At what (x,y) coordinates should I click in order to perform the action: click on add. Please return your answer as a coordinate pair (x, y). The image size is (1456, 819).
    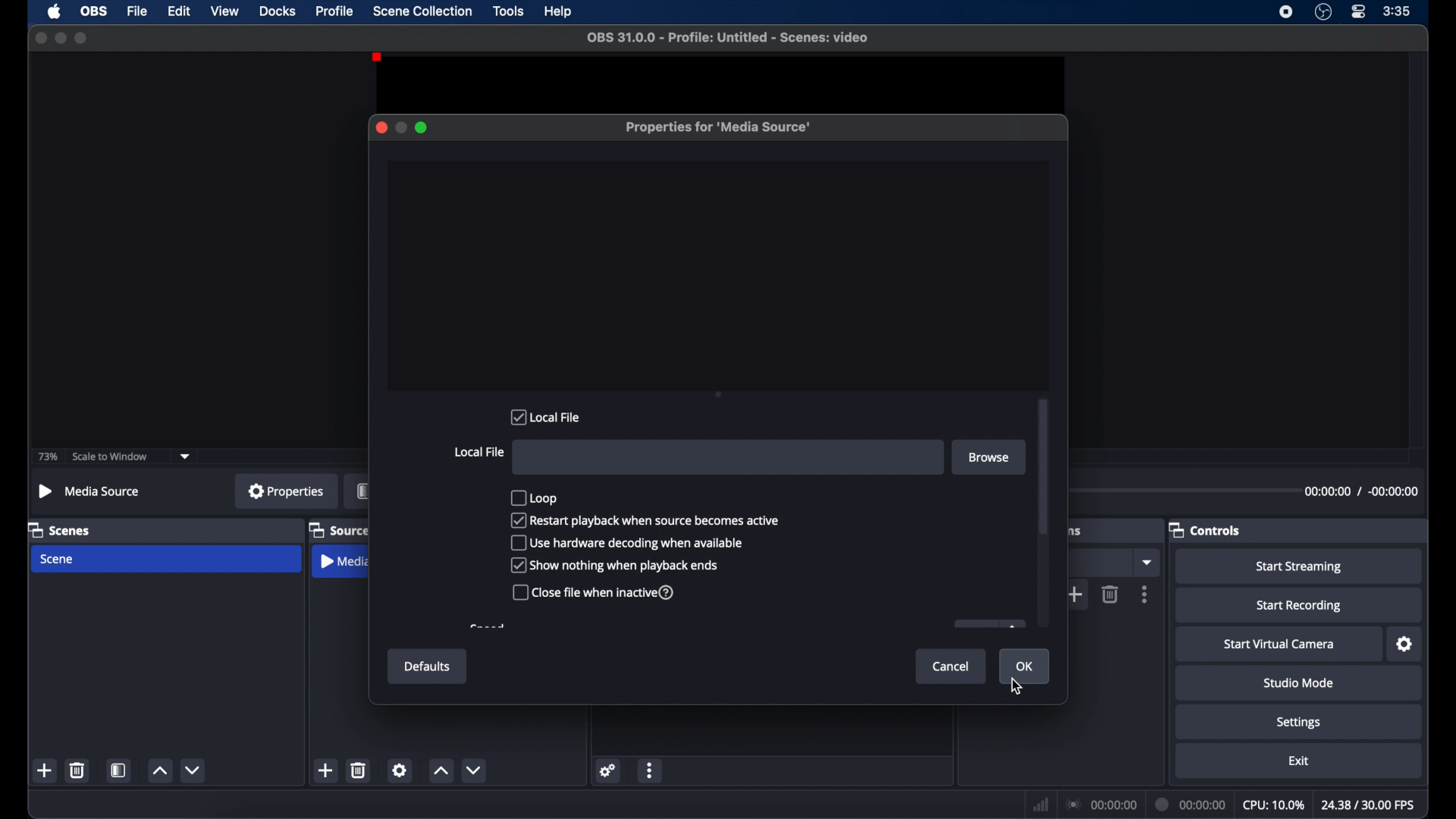
    Looking at the image, I should click on (1074, 594).